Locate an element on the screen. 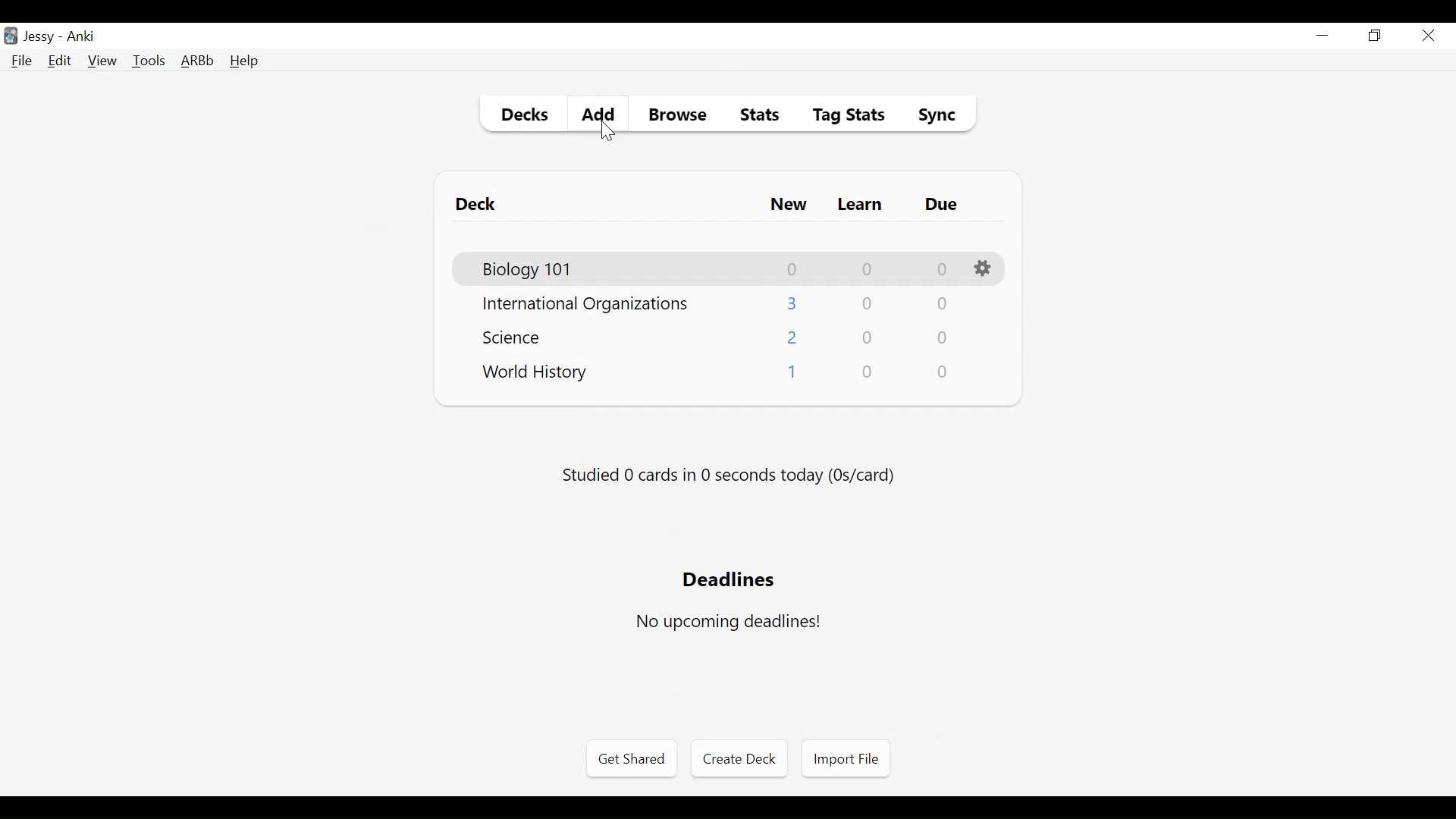  Due Card Count is located at coordinates (943, 270).